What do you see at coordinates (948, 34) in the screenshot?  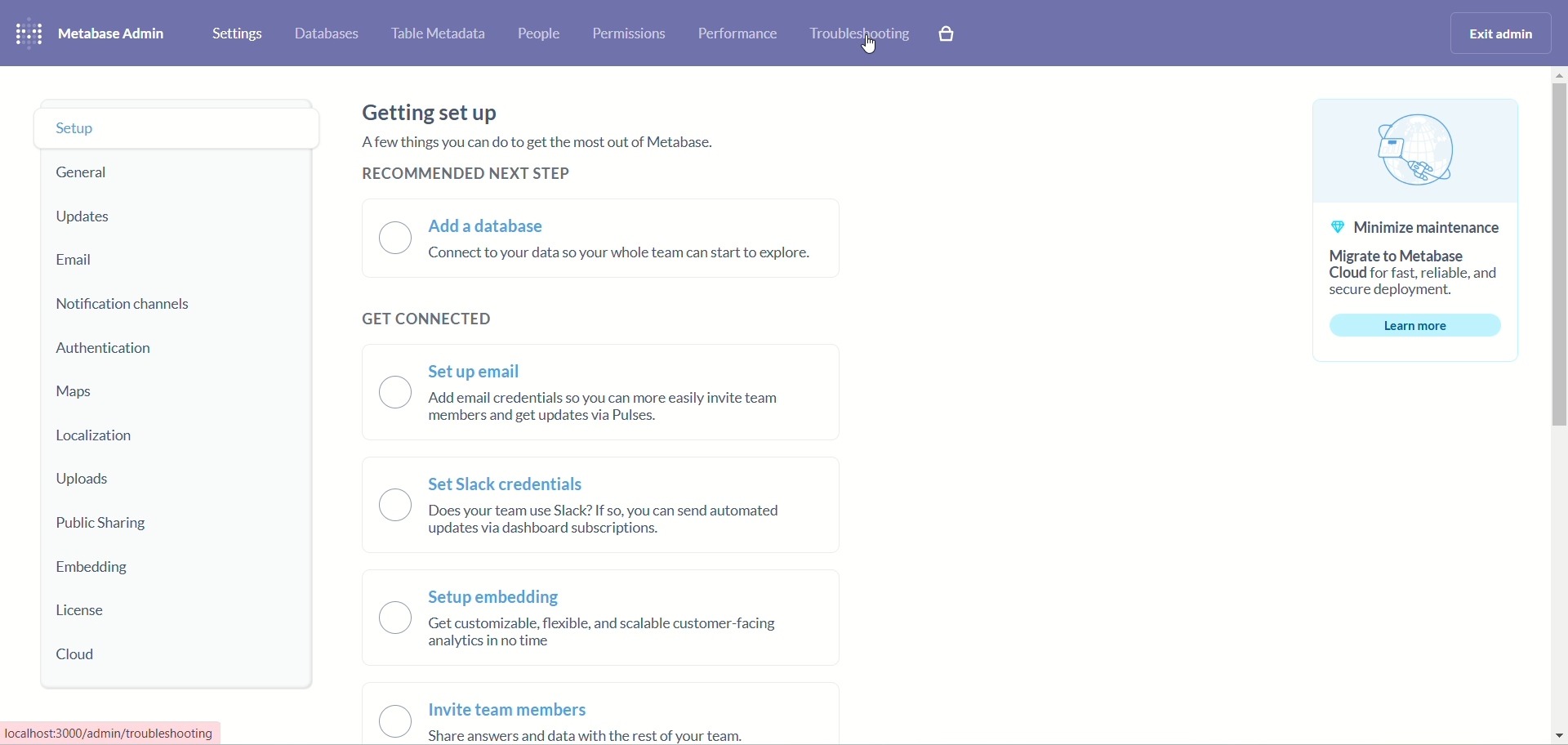 I see `explore paid features` at bounding box center [948, 34].